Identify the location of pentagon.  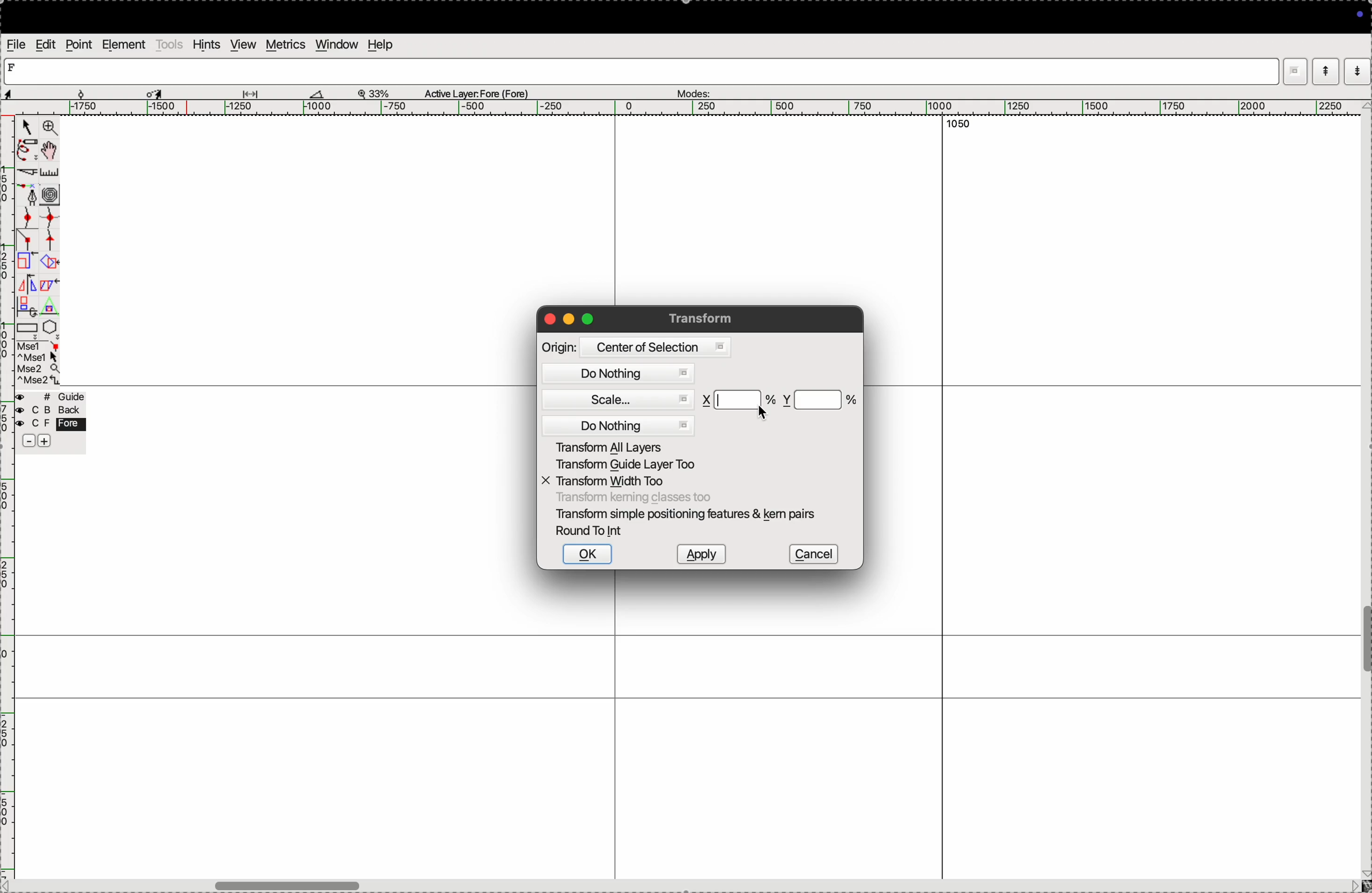
(50, 327).